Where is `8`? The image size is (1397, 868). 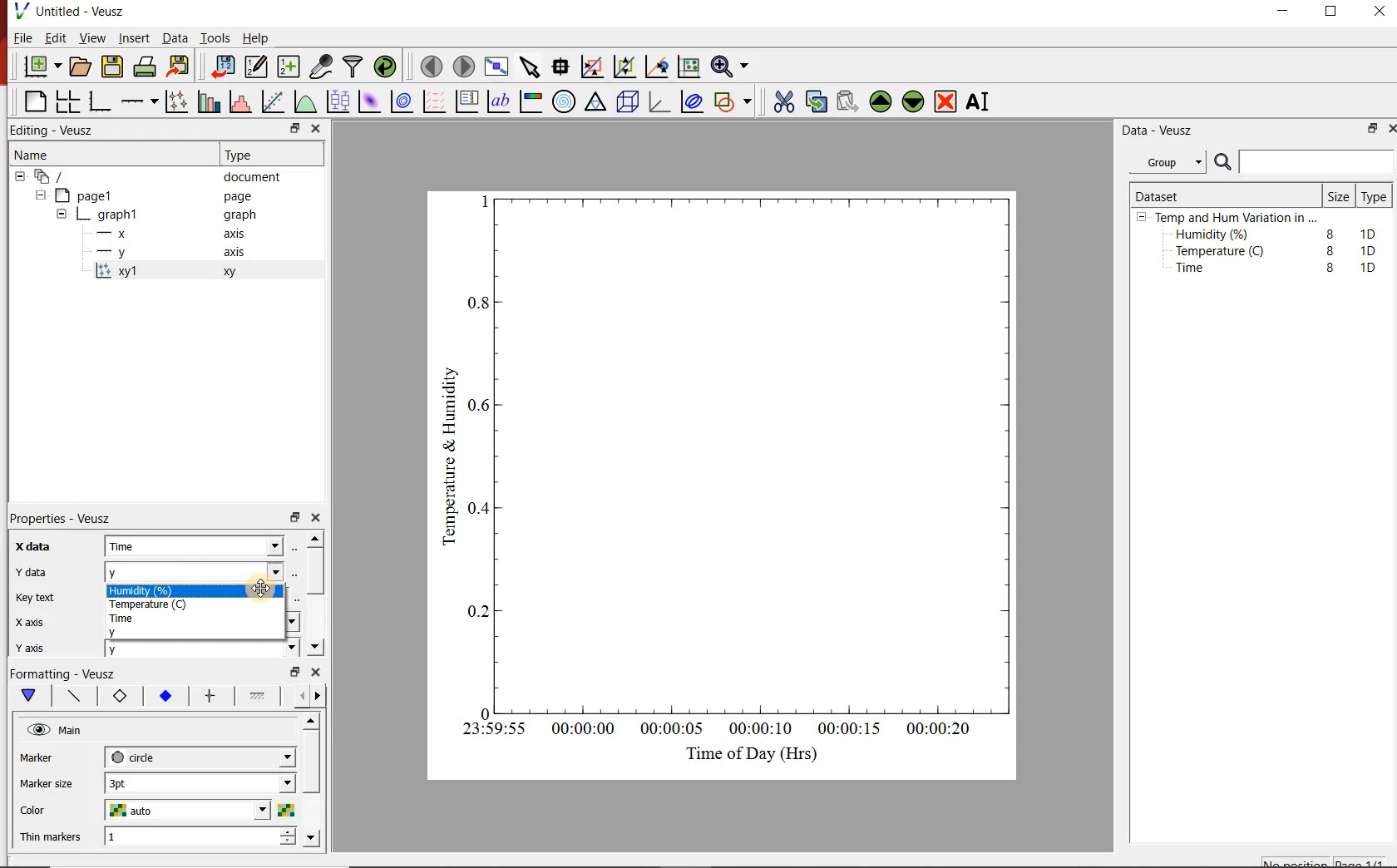
8 is located at coordinates (1327, 231).